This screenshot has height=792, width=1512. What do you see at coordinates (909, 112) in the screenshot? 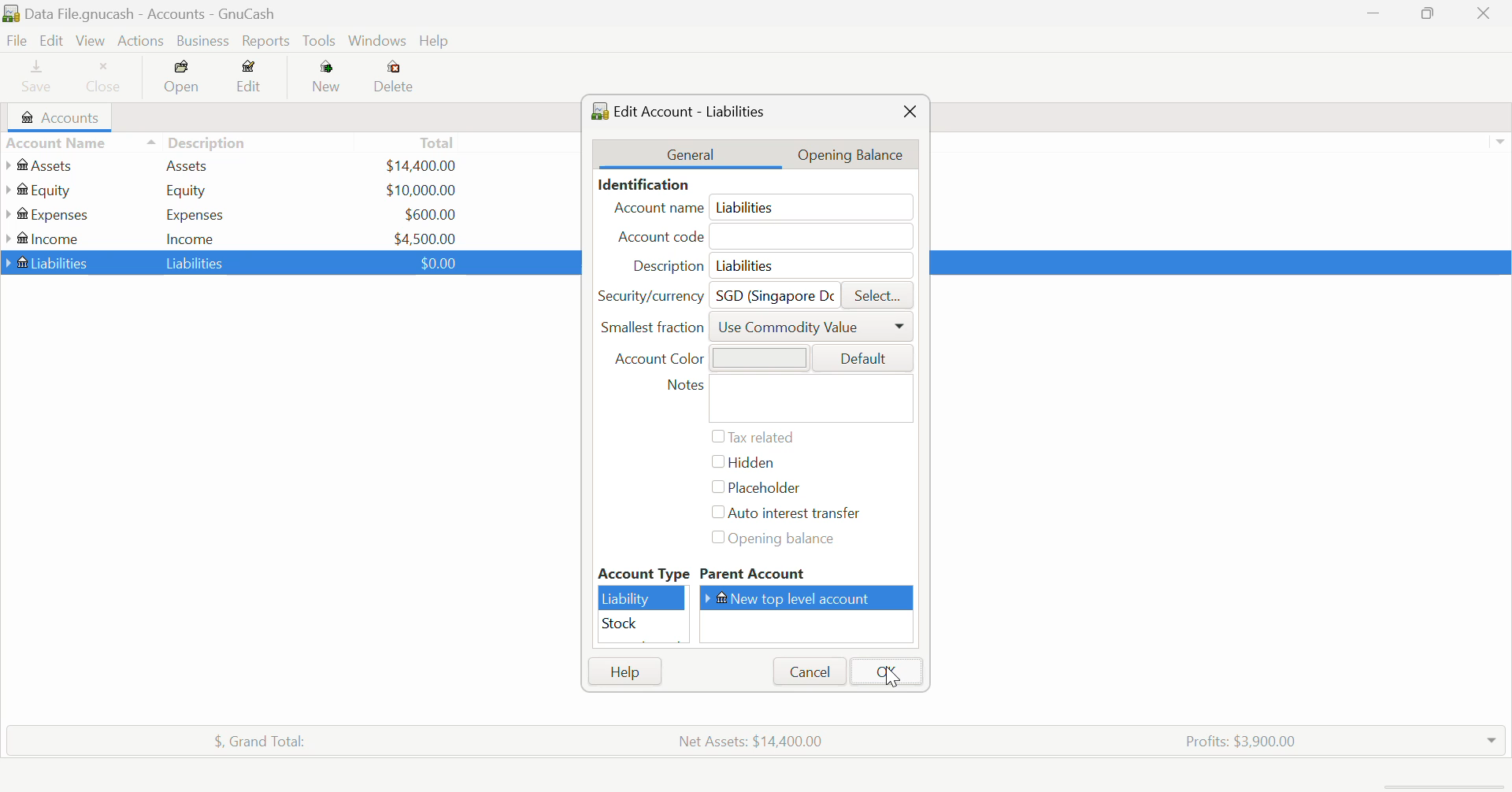
I see `Close` at bounding box center [909, 112].